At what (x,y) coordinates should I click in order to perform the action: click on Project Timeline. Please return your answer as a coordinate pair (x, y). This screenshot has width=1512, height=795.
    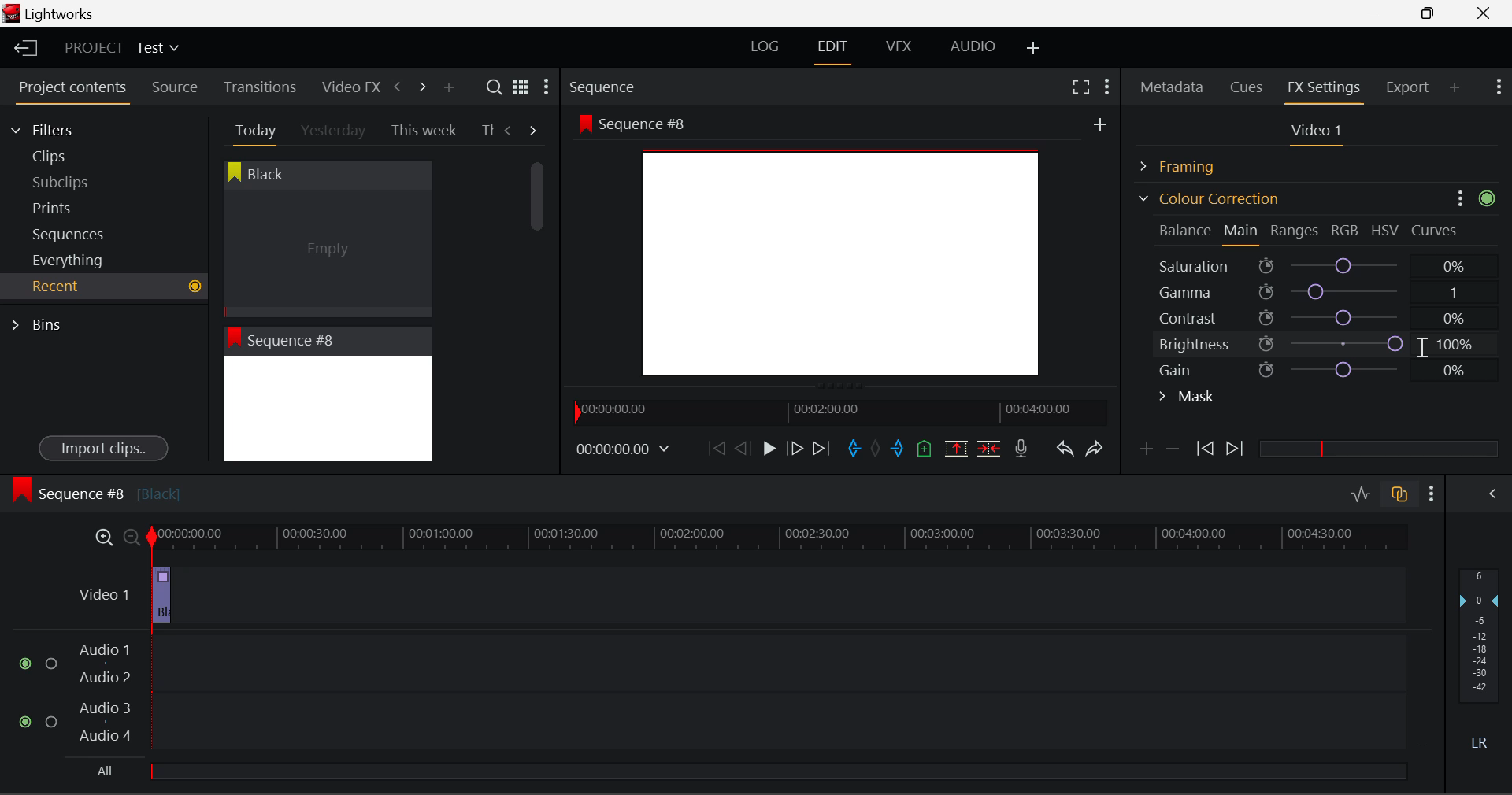
    Looking at the image, I should click on (780, 538).